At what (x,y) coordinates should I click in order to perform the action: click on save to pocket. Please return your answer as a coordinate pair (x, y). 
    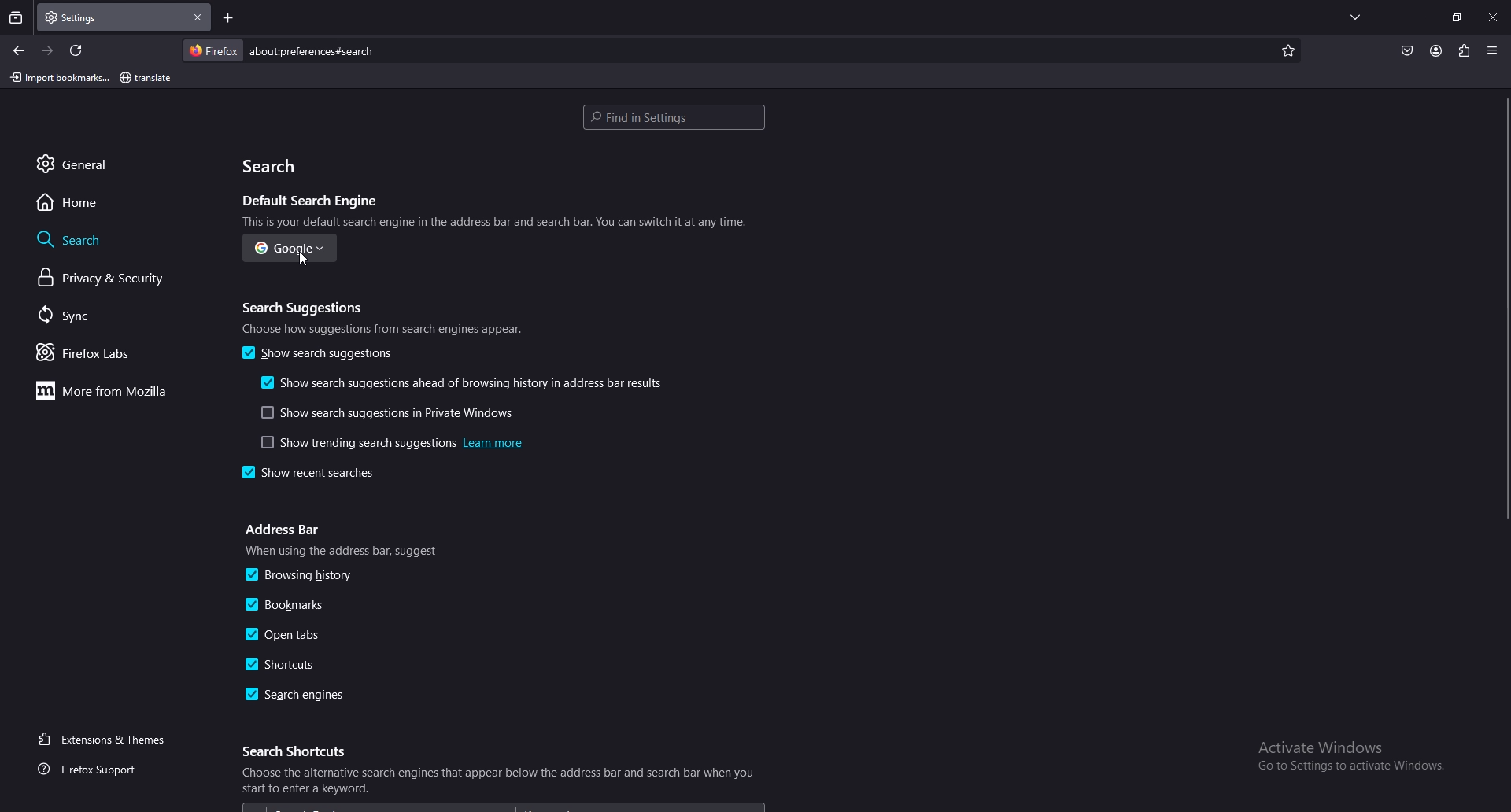
    Looking at the image, I should click on (1407, 51).